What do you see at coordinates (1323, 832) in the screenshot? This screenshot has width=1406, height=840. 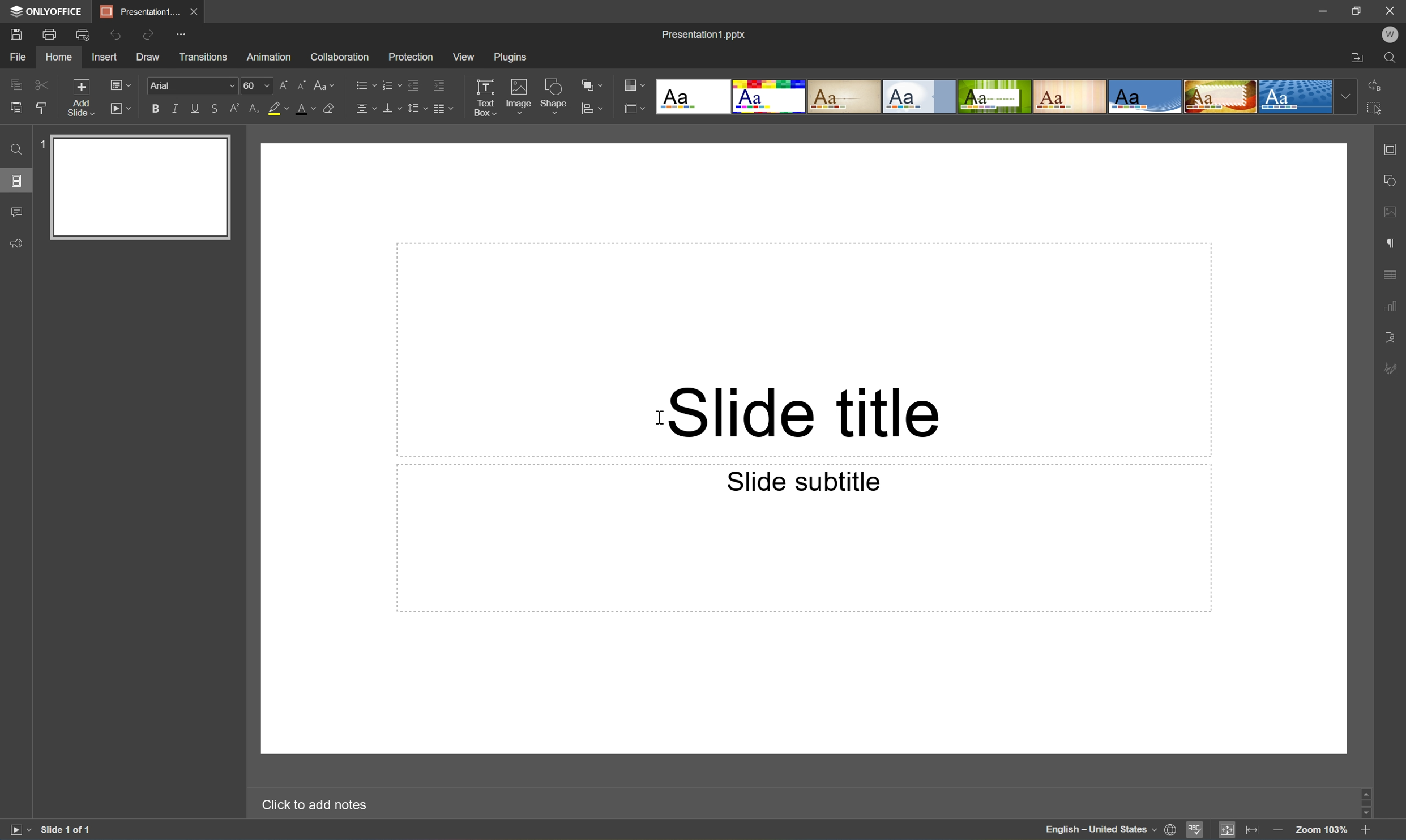 I see `Zoom 103%` at bounding box center [1323, 832].